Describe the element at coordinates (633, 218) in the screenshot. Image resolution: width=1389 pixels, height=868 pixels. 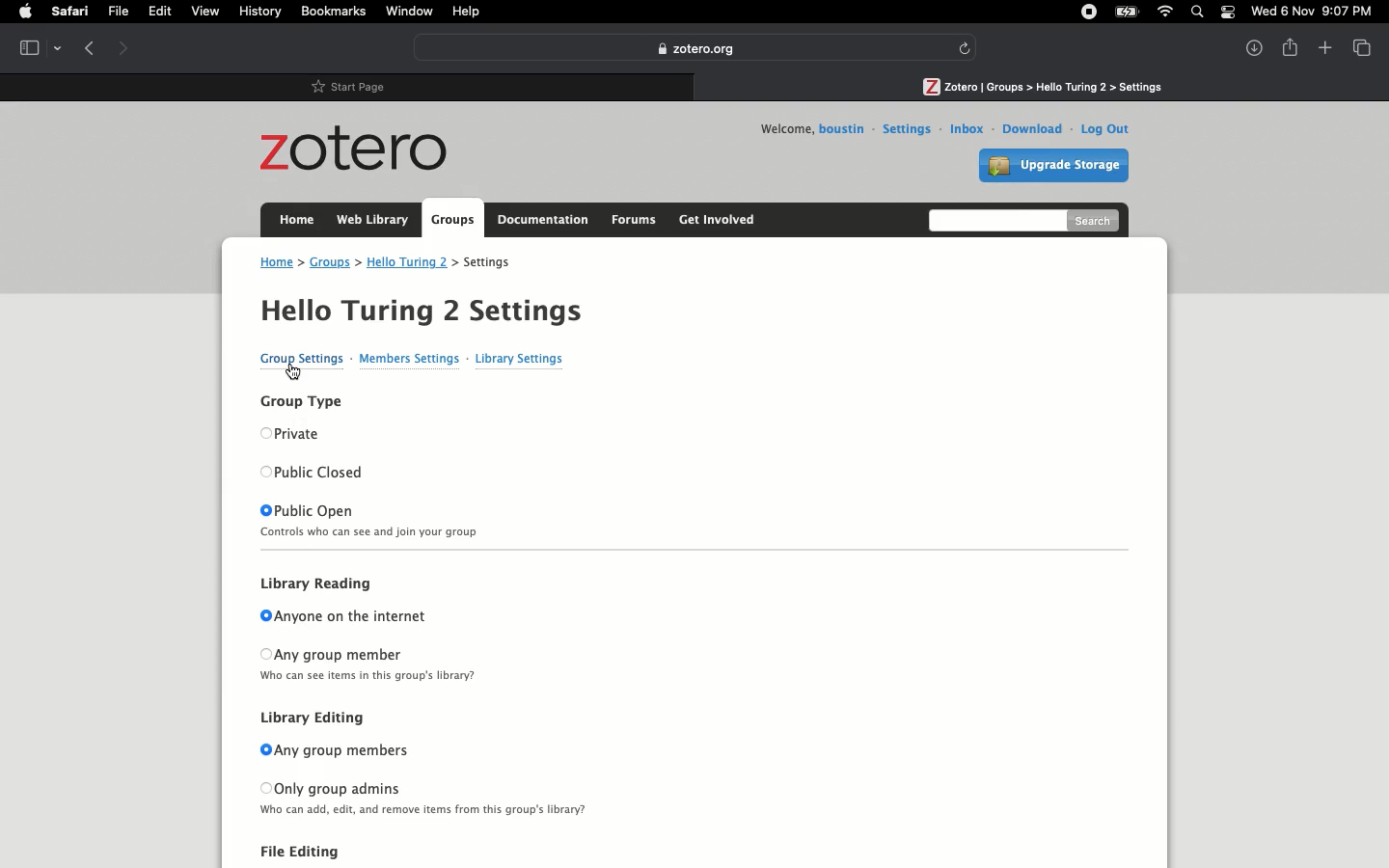
I see `Forums` at that location.